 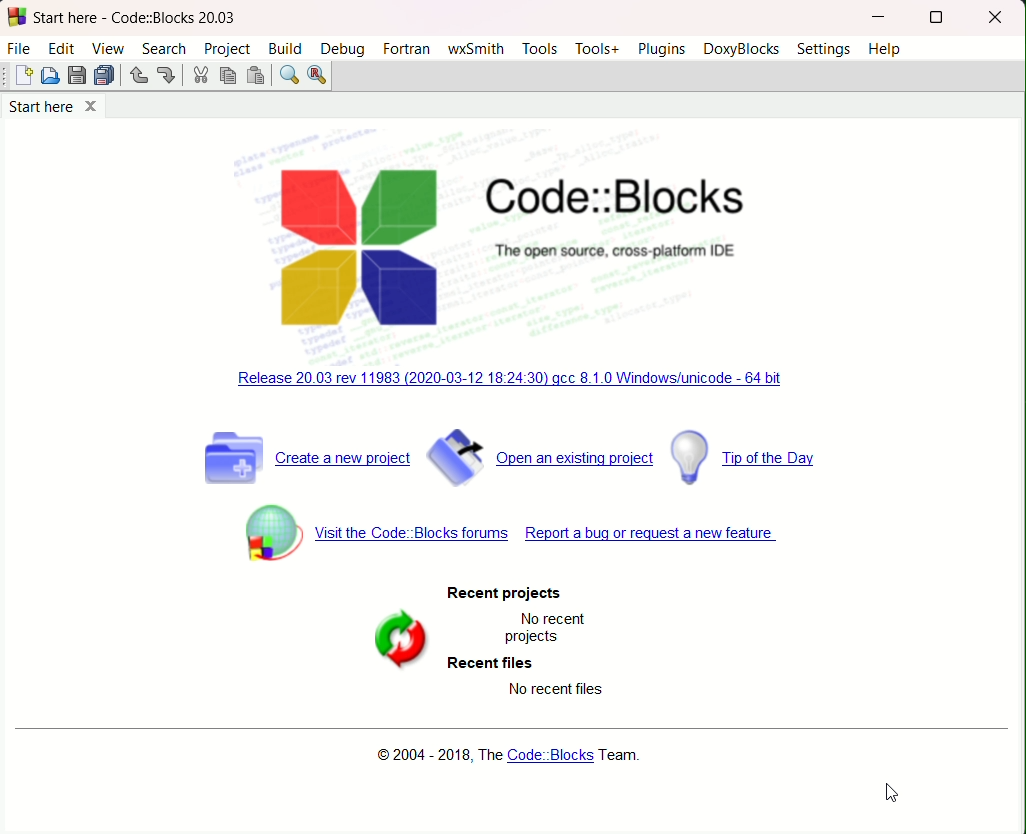 What do you see at coordinates (225, 49) in the screenshot?
I see `project` at bounding box center [225, 49].